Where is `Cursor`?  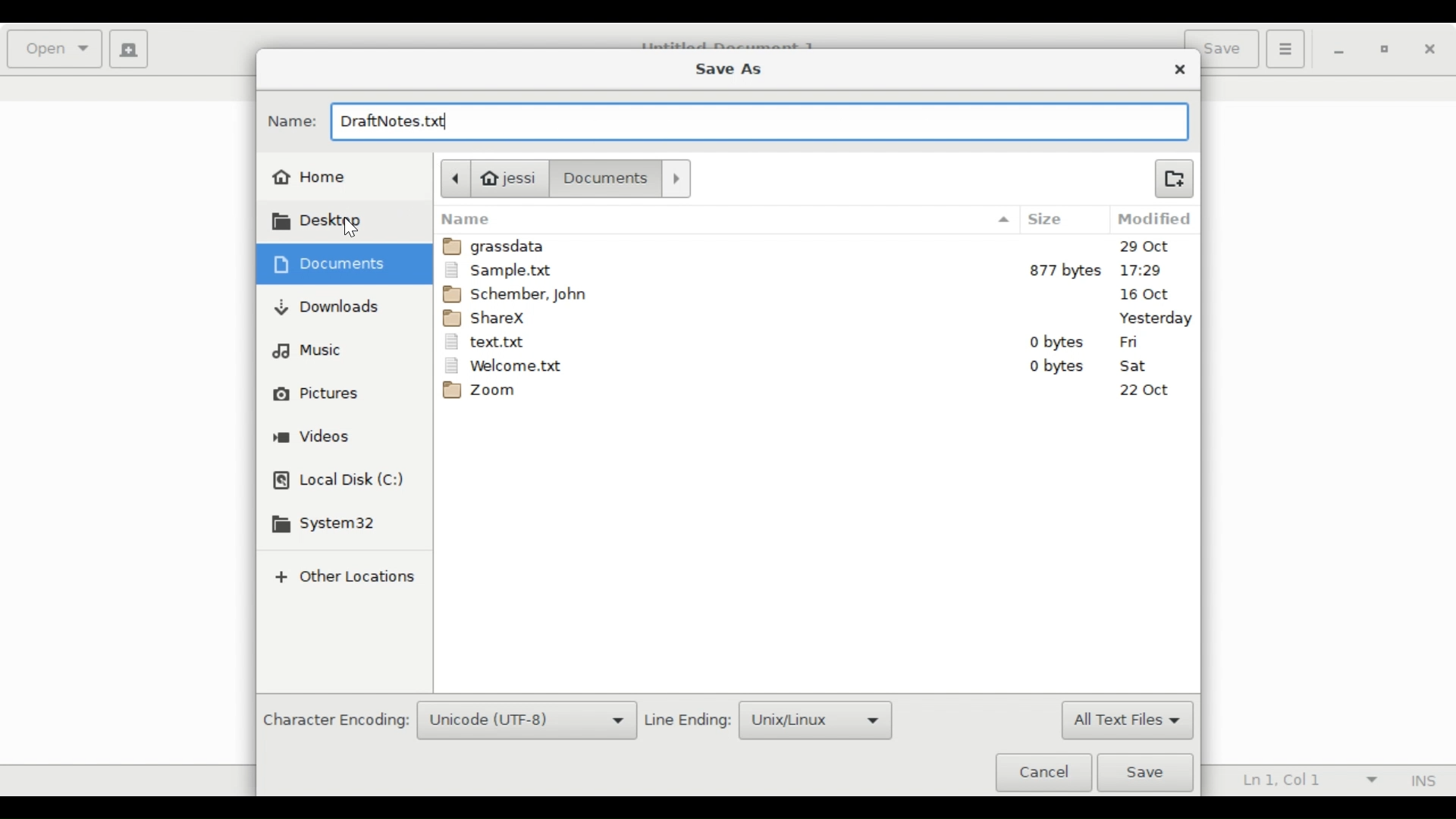 Cursor is located at coordinates (351, 228).